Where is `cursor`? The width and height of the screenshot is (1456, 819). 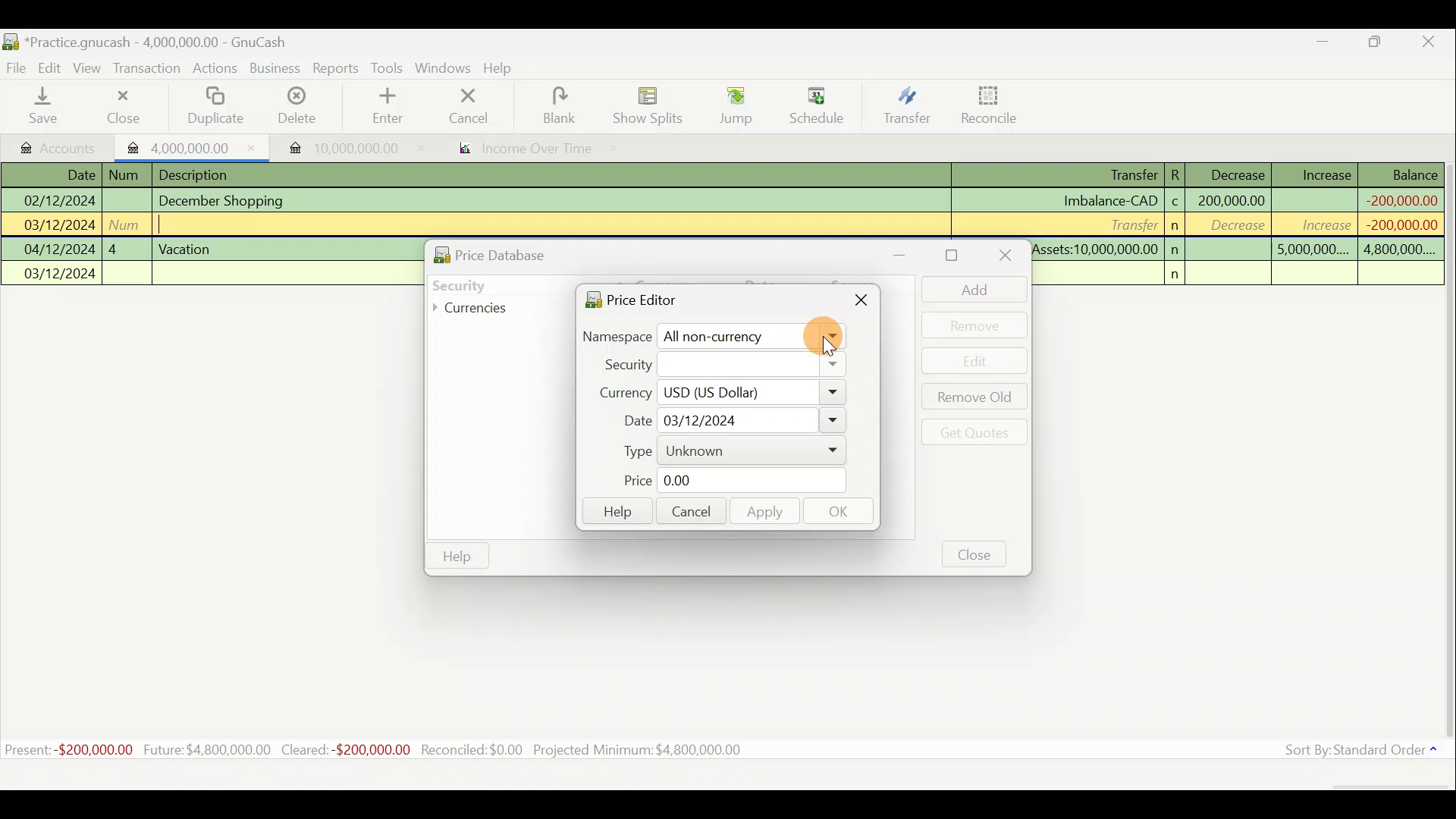
cursor is located at coordinates (839, 347).